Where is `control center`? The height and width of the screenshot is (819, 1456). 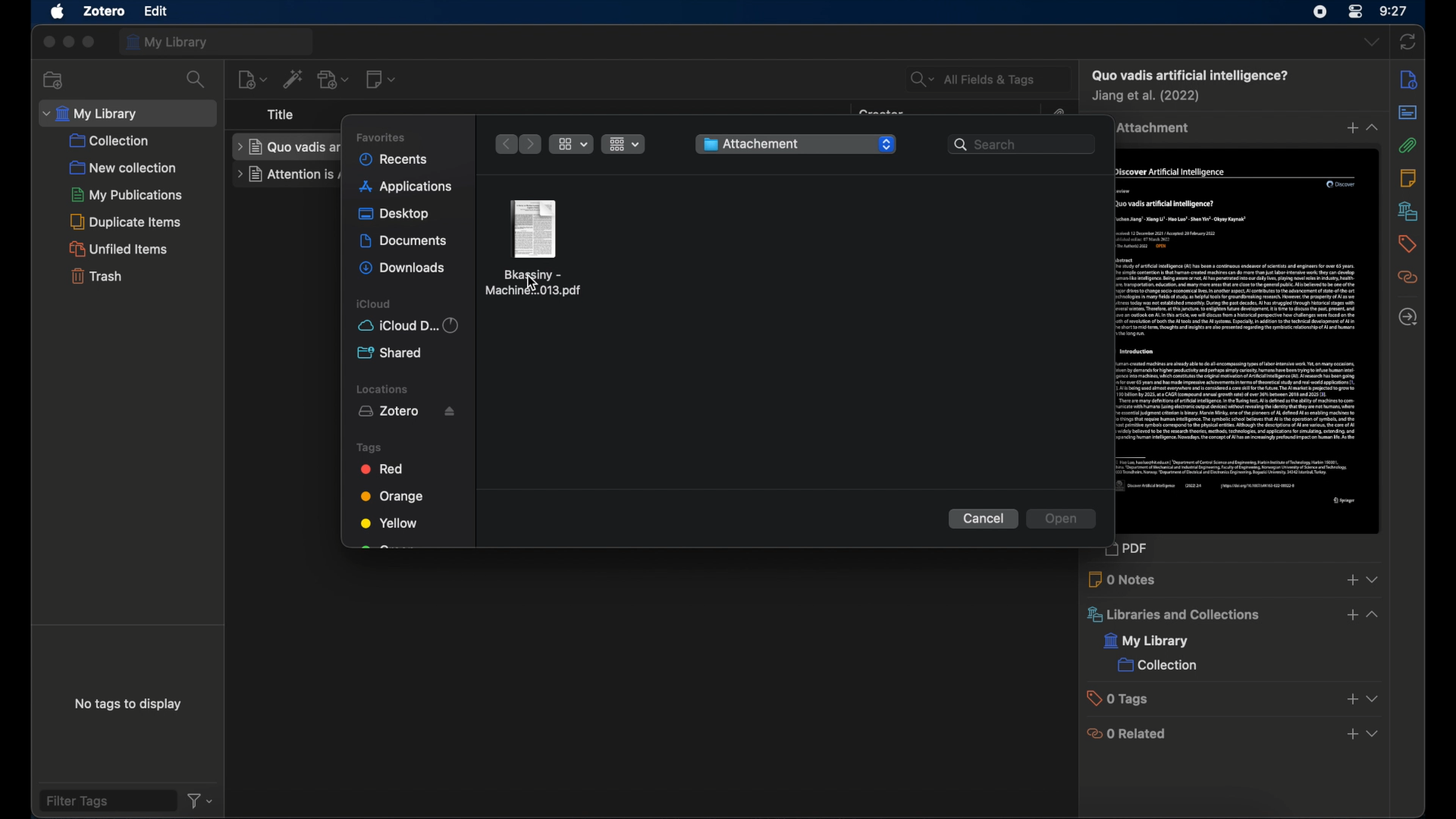 control center is located at coordinates (1356, 13).